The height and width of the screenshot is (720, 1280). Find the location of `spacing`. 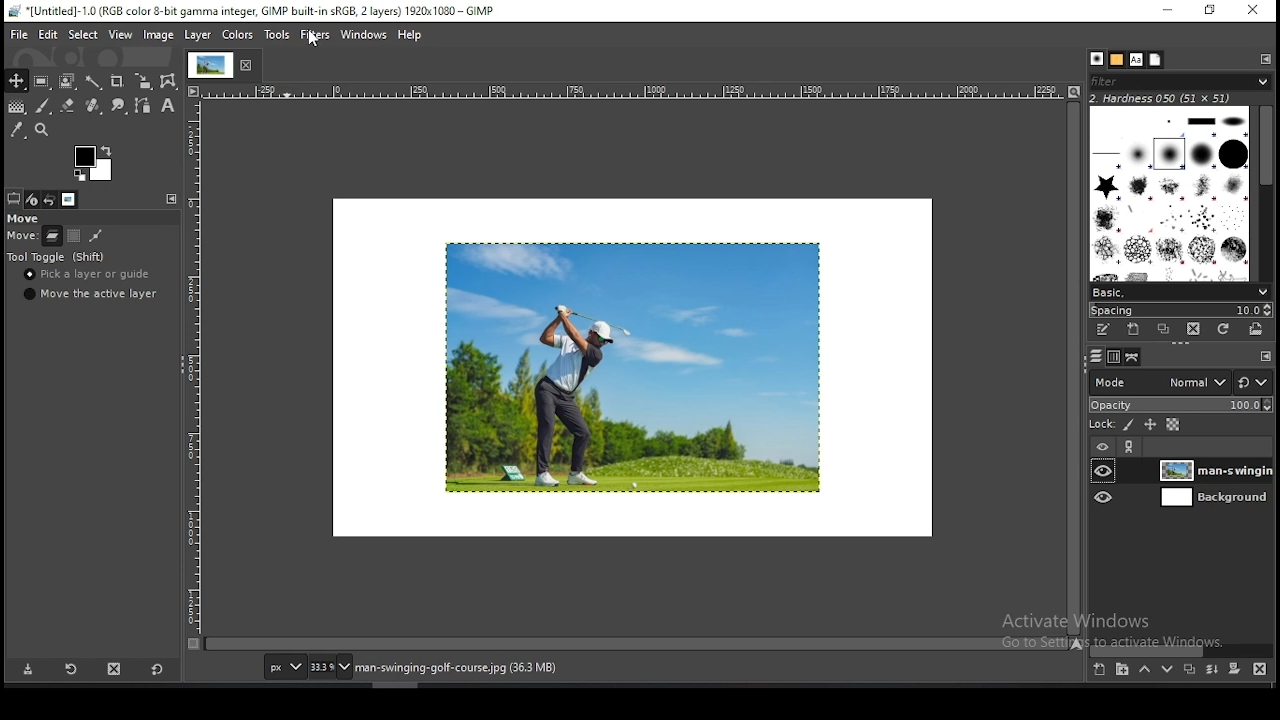

spacing is located at coordinates (1181, 309).